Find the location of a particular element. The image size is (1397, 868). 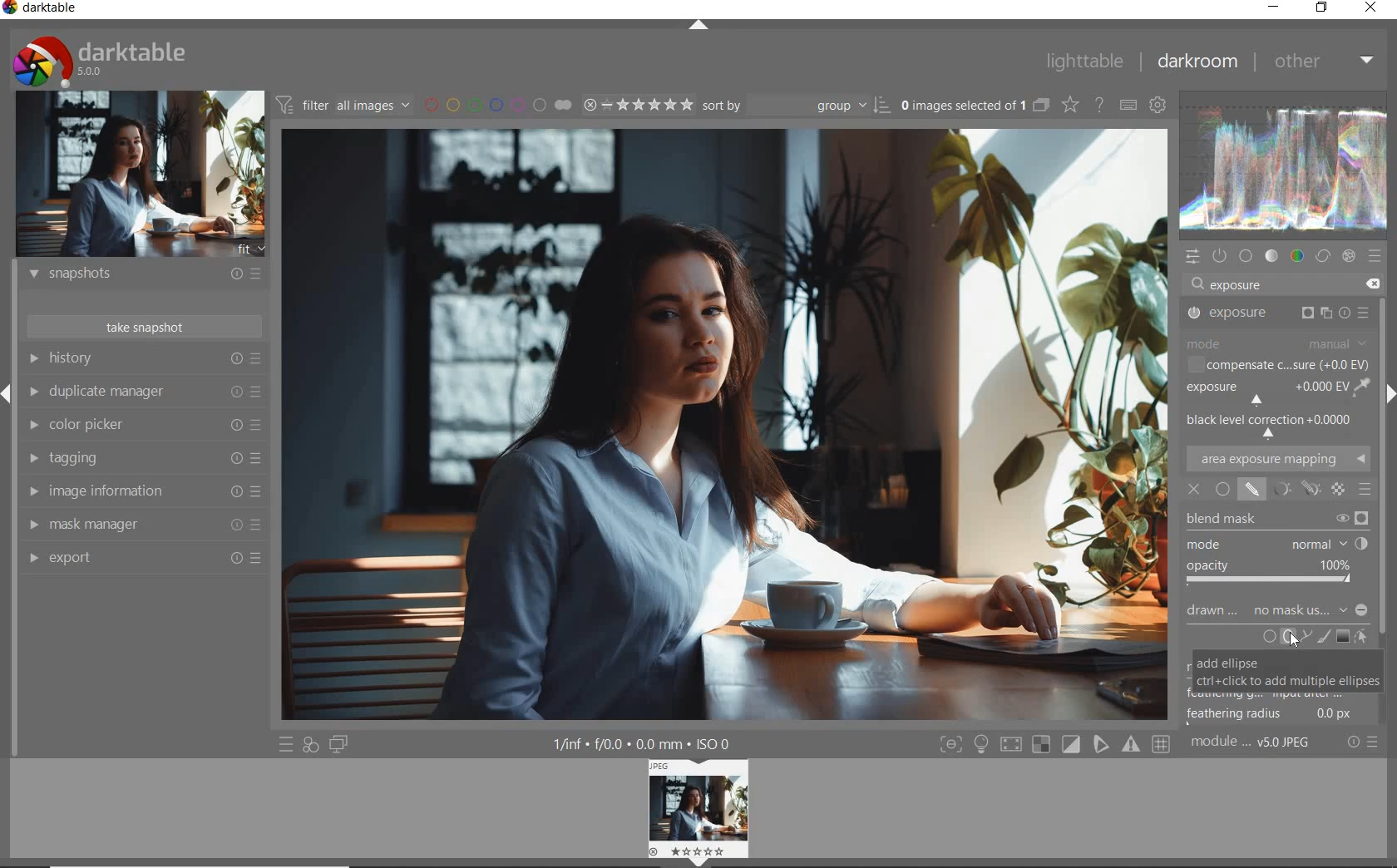

image information is located at coordinates (146, 490).